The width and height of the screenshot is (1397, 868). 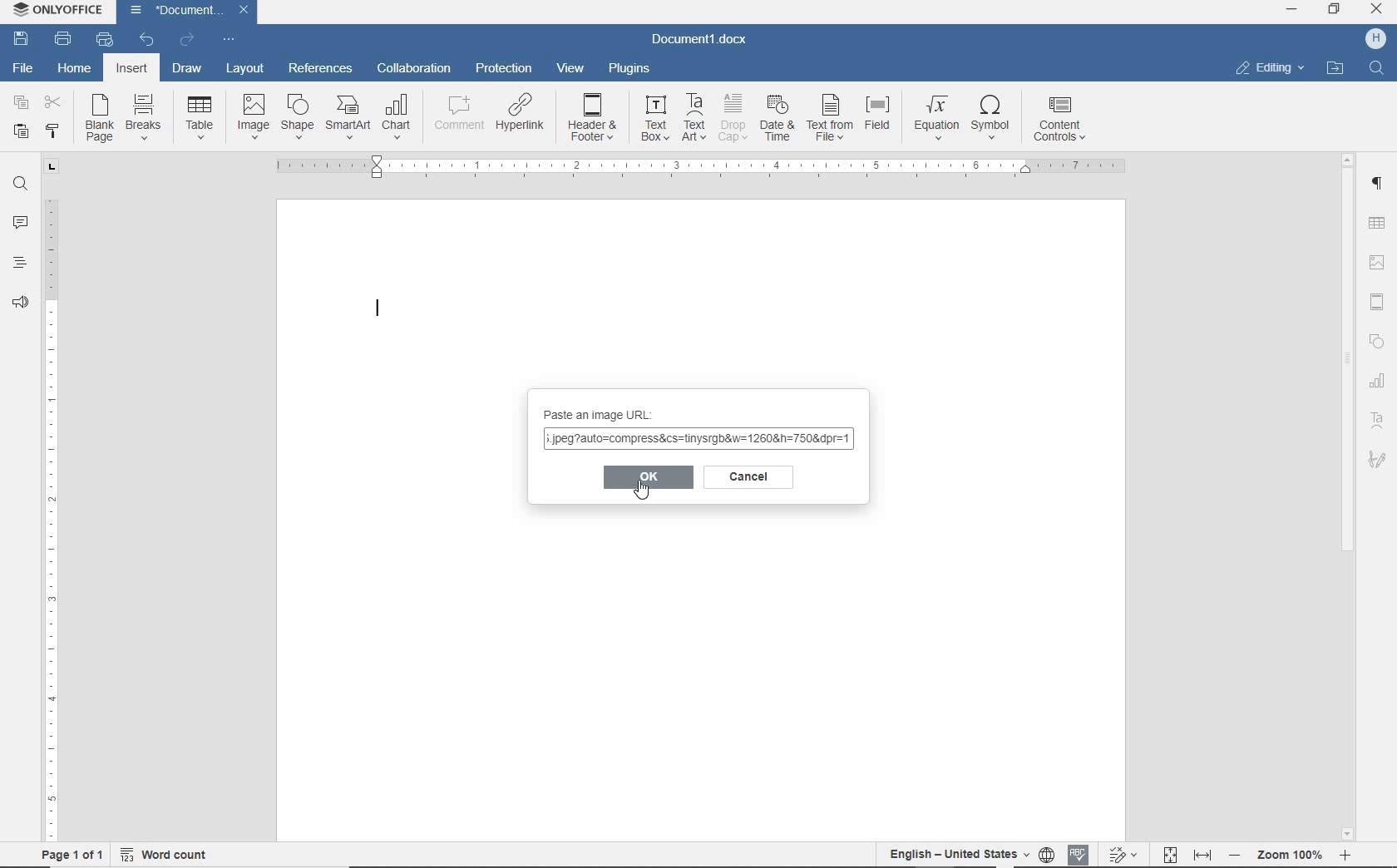 I want to click on open file location, so click(x=1338, y=70).